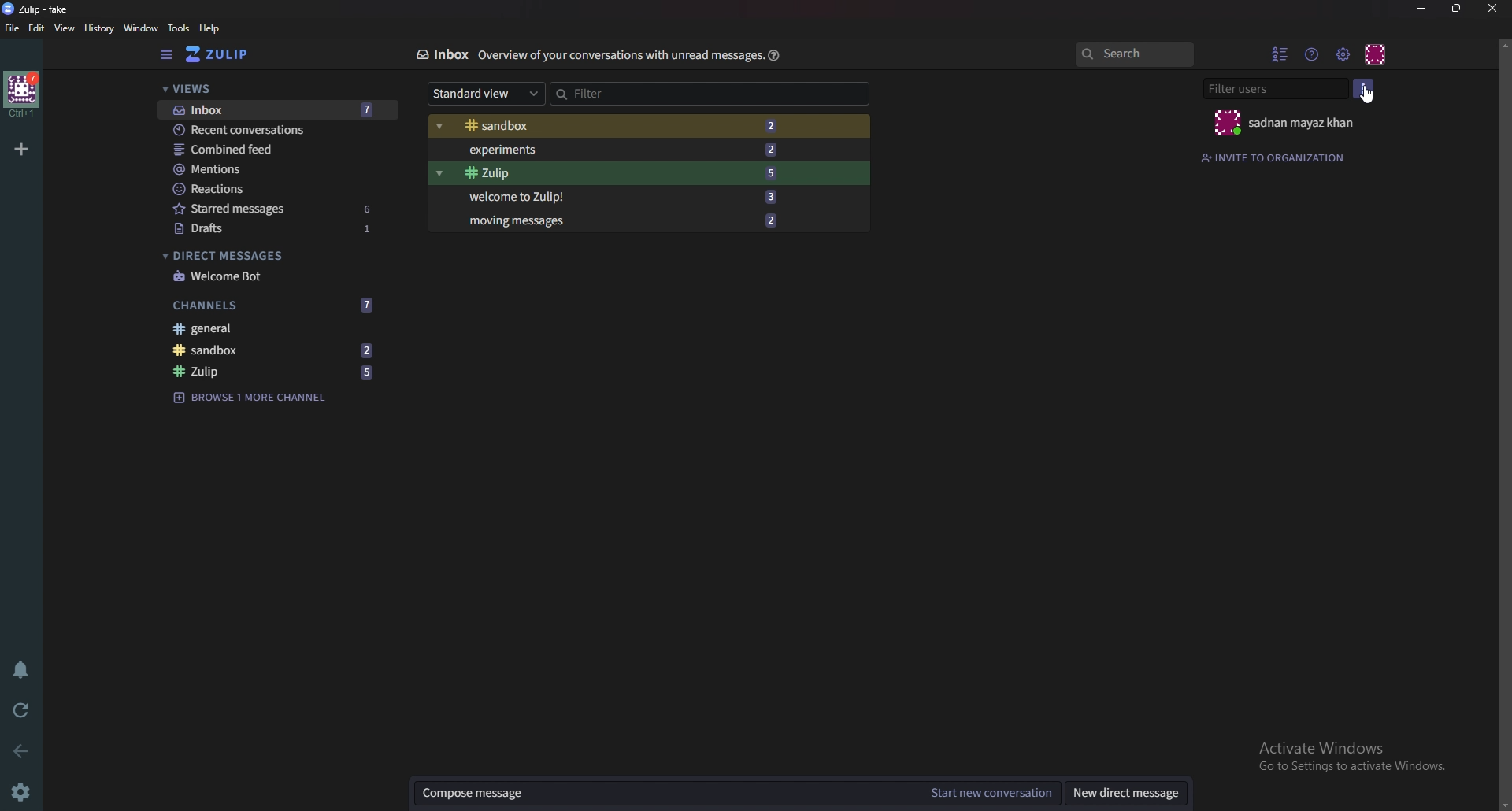 The width and height of the screenshot is (1512, 811). Describe the element at coordinates (17, 752) in the screenshot. I see `Back` at that location.